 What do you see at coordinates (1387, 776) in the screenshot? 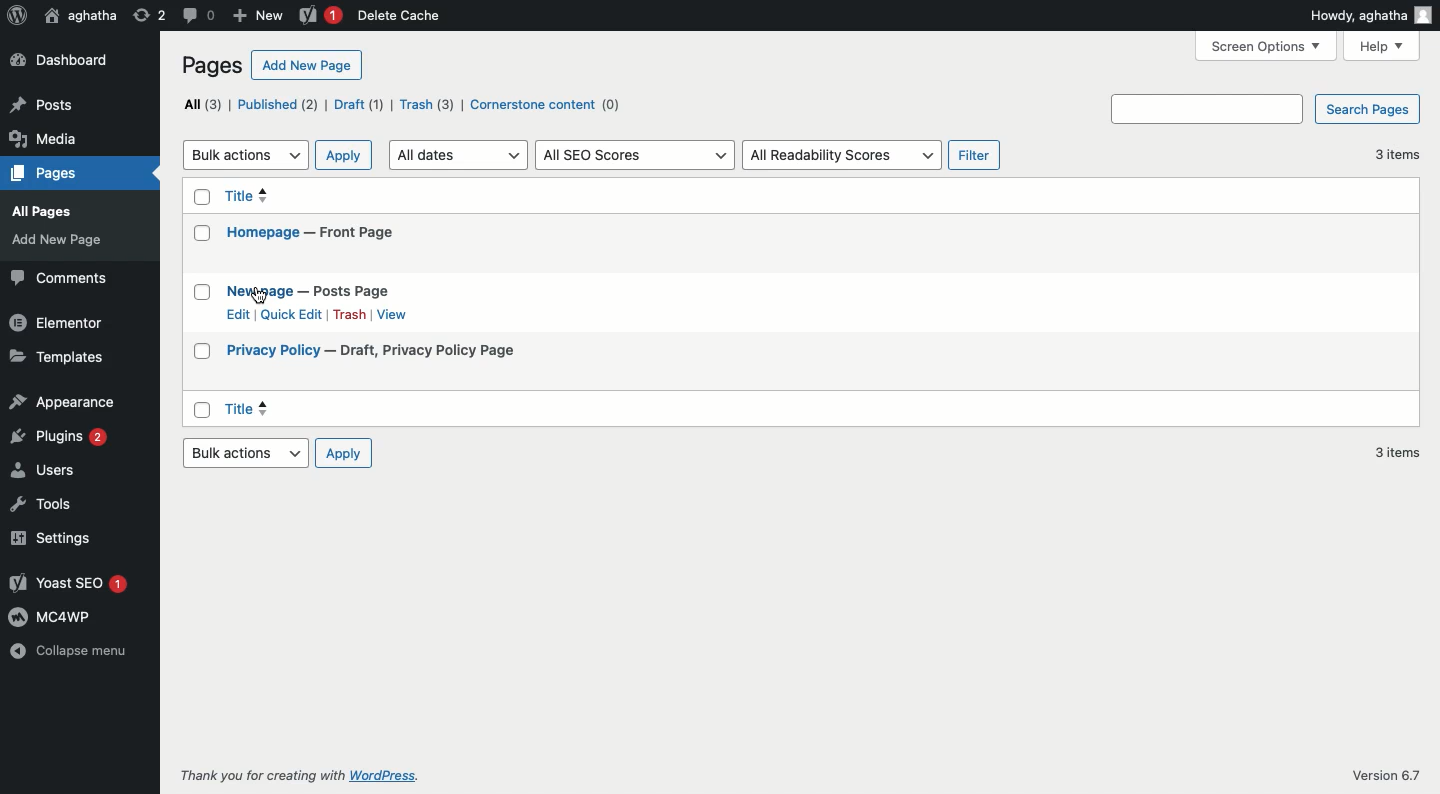
I see `Version 6.7` at bounding box center [1387, 776].